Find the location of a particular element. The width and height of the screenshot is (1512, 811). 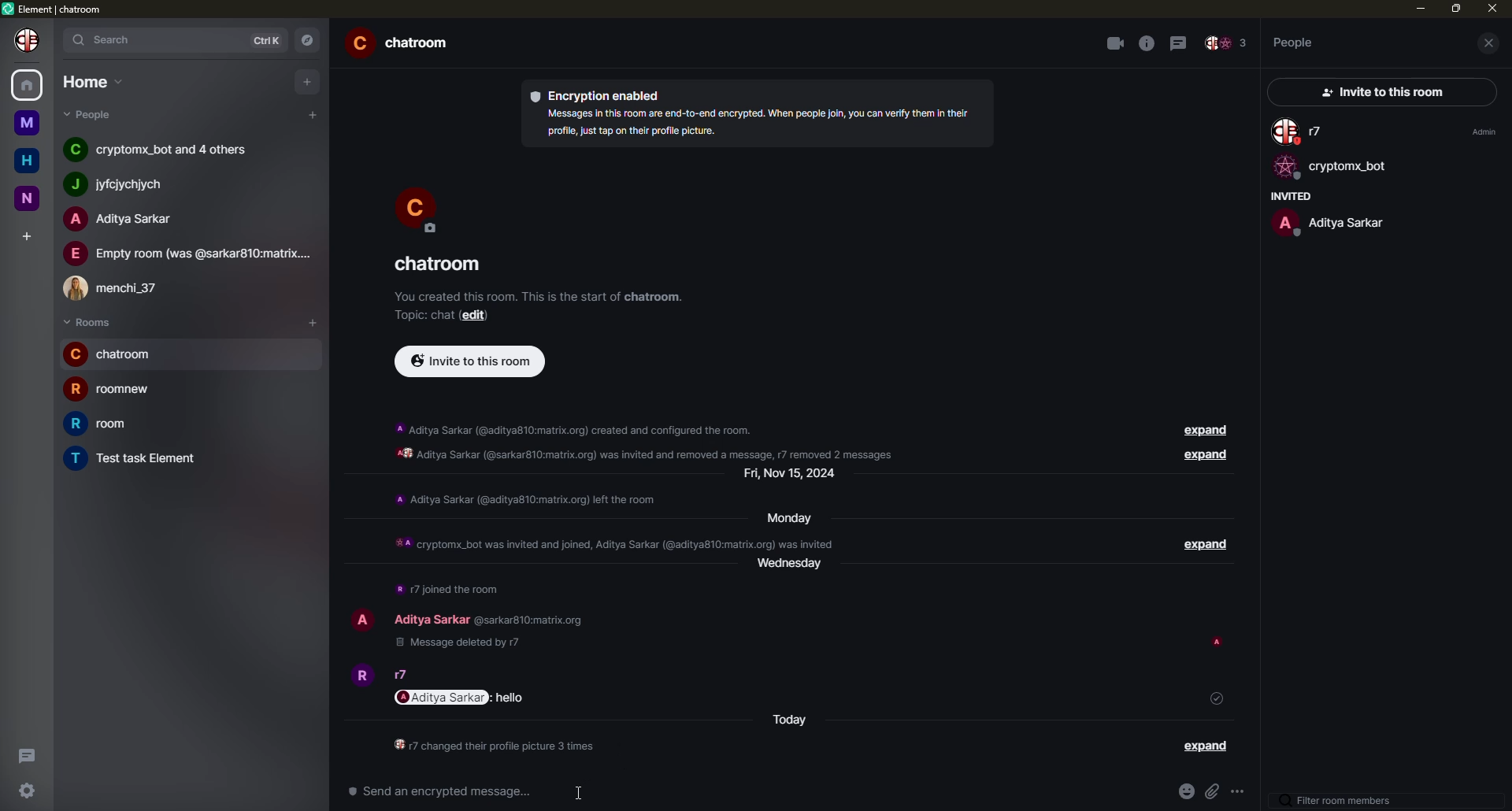

m is located at coordinates (26, 123).